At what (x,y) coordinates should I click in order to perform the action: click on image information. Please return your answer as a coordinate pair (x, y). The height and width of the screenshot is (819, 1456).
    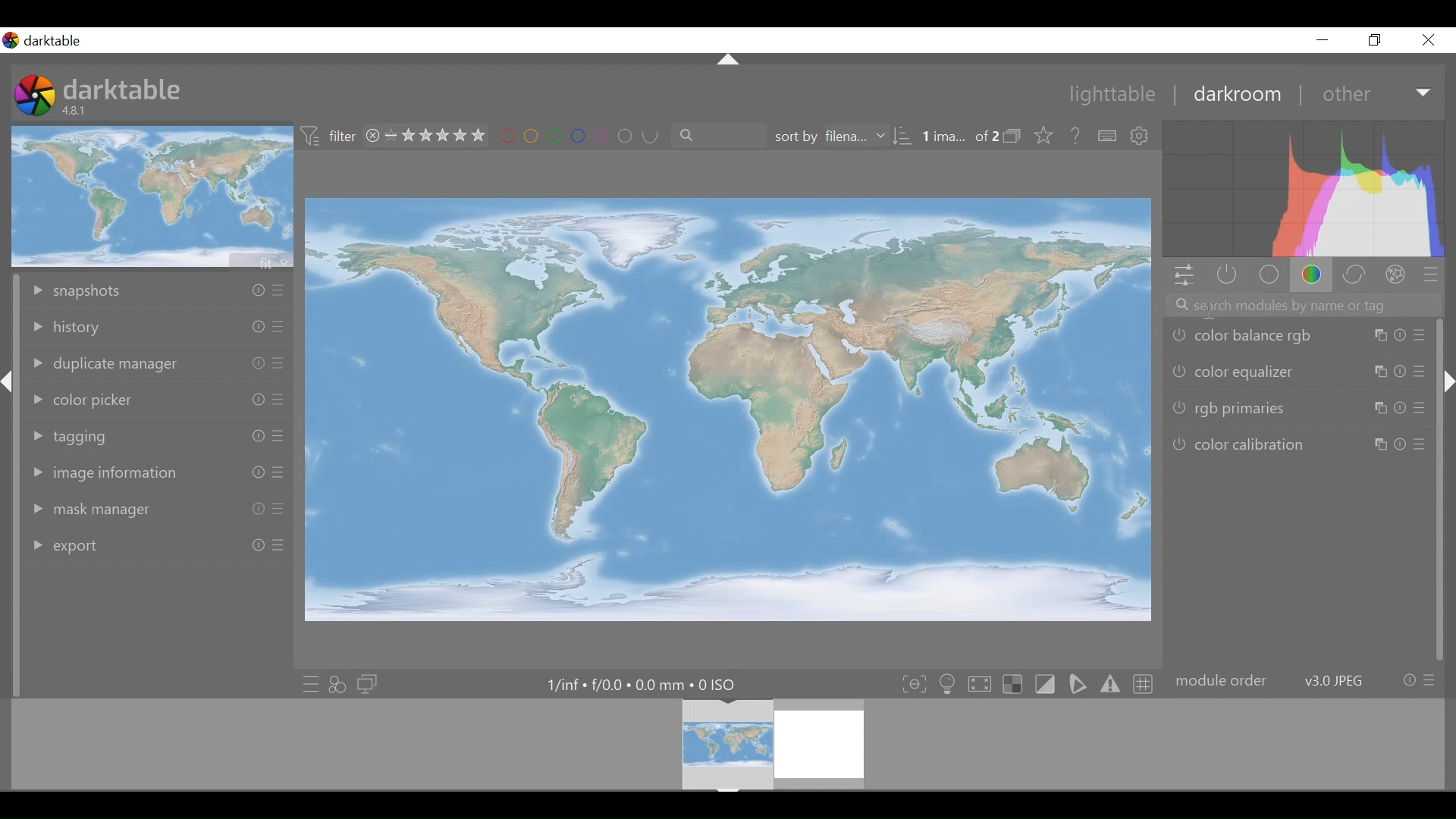
    Looking at the image, I should click on (156, 475).